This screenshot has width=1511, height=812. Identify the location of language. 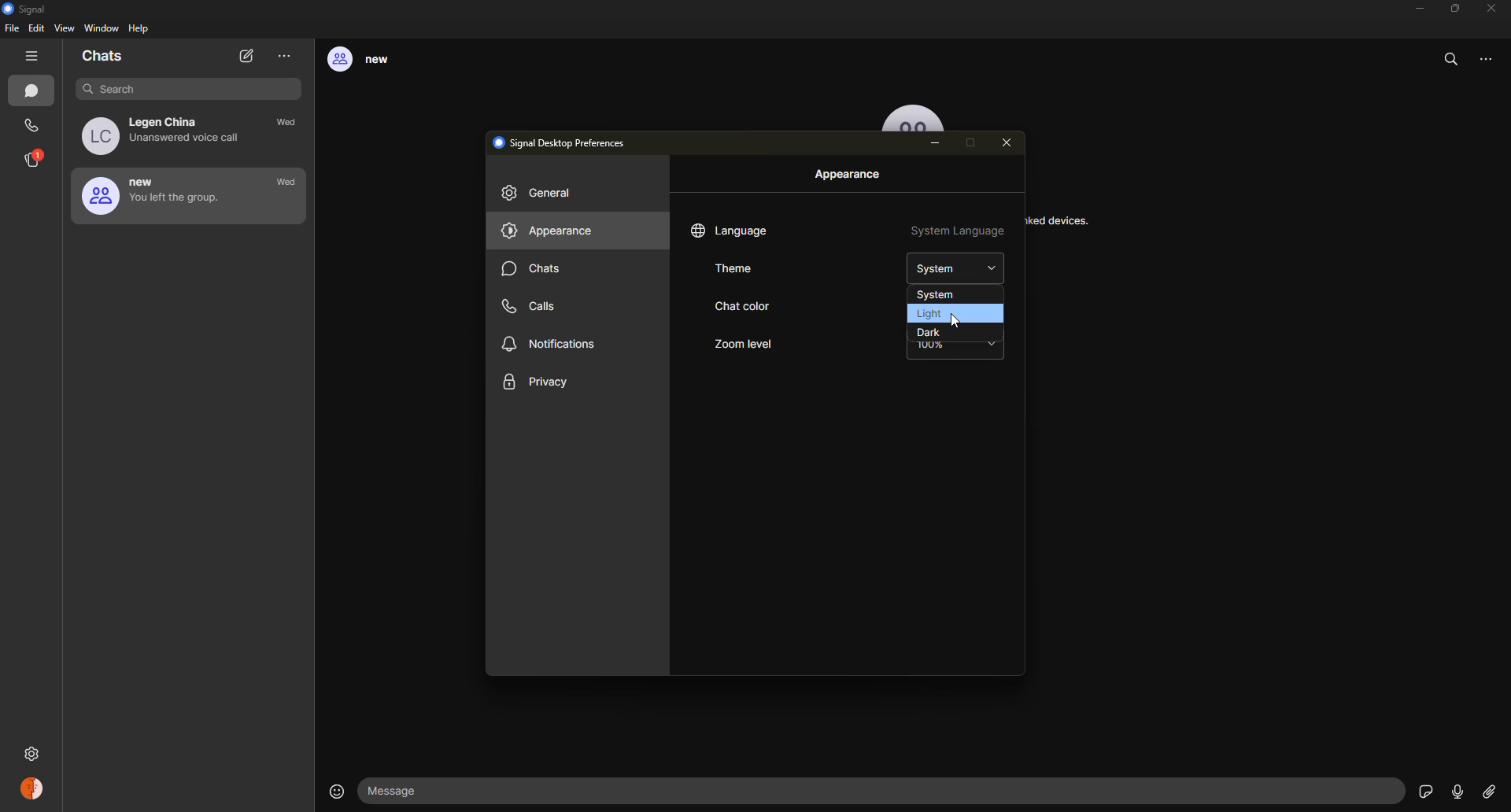
(732, 231).